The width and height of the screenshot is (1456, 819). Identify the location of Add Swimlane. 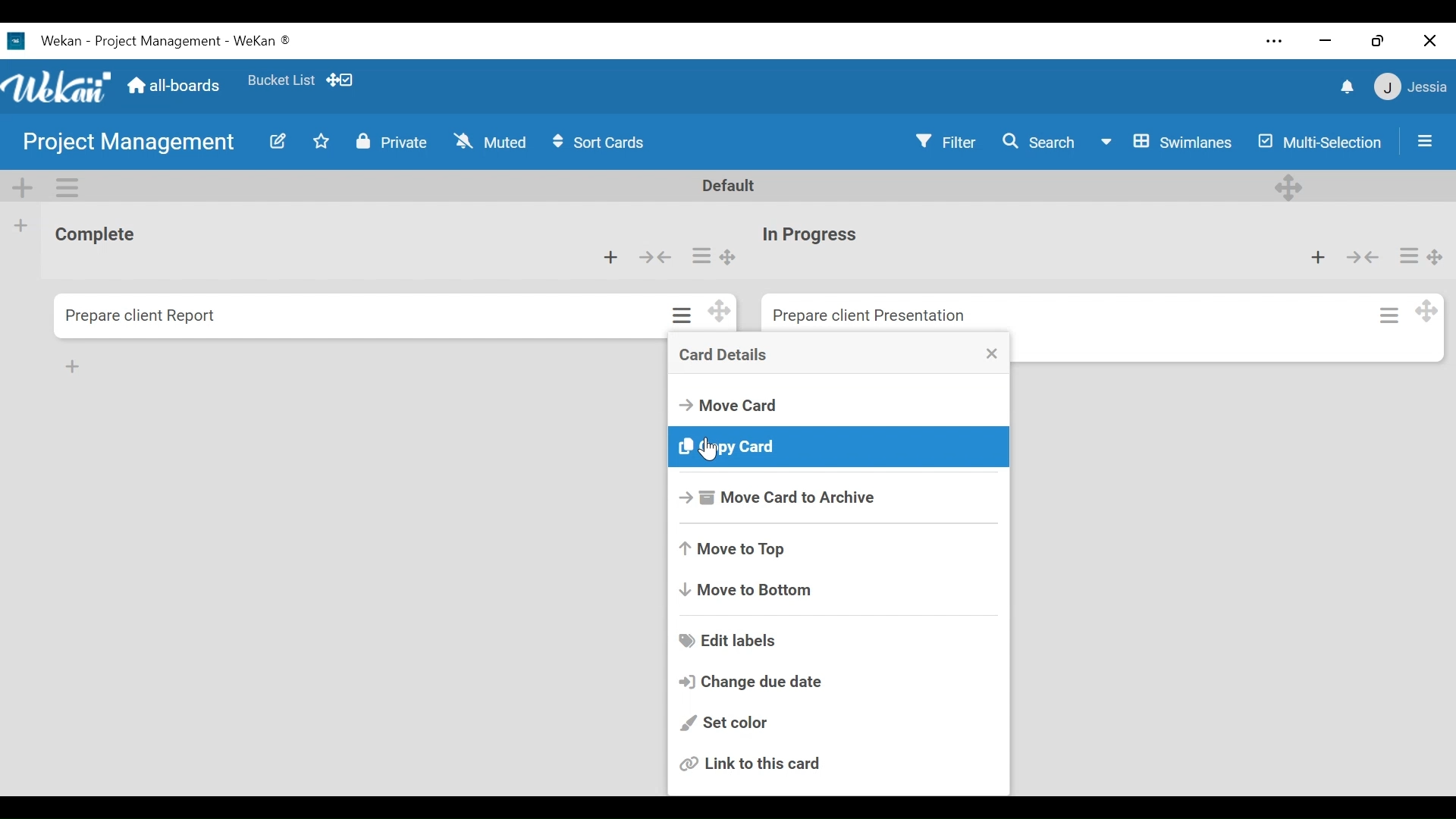
(27, 188).